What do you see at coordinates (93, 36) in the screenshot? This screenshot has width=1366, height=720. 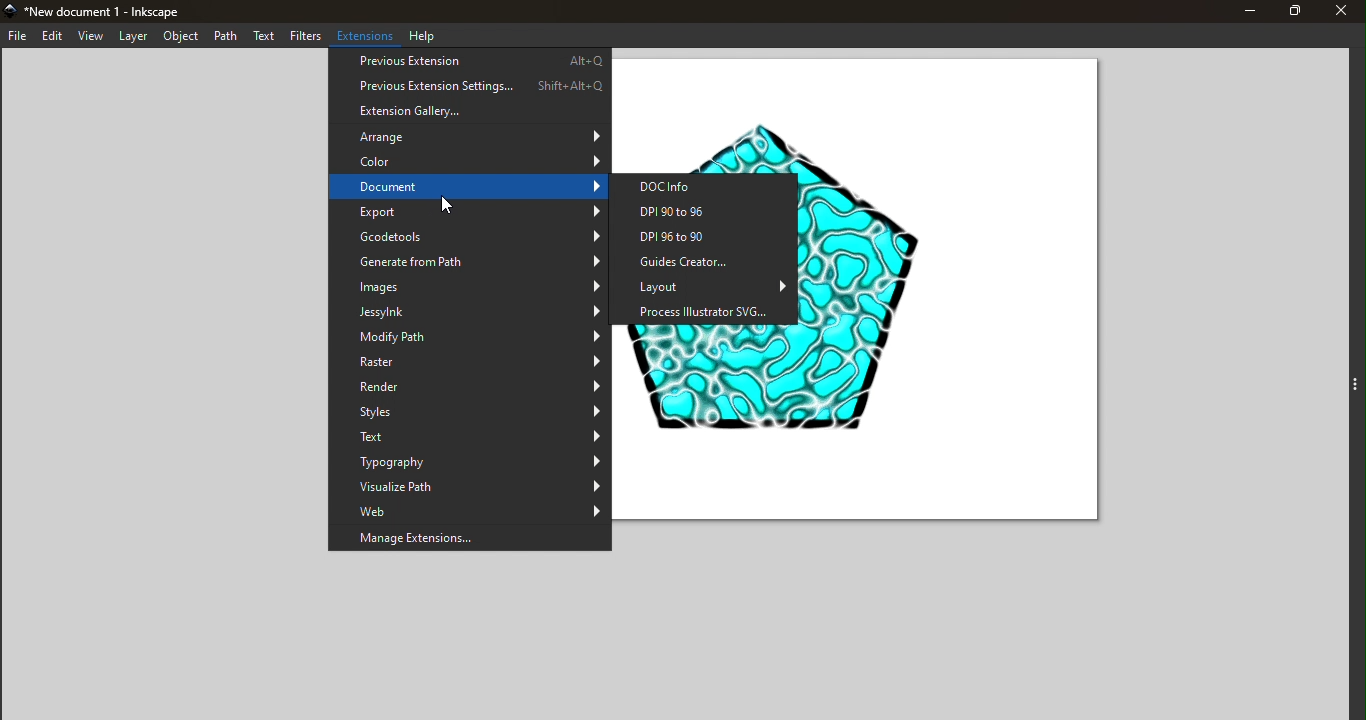 I see `View` at bounding box center [93, 36].